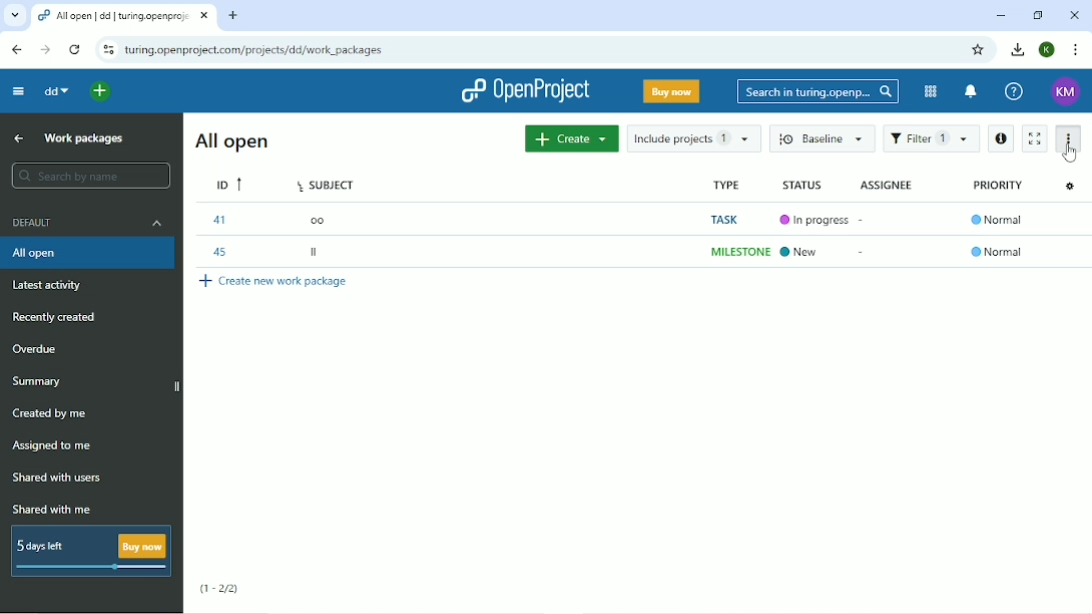 The height and width of the screenshot is (614, 1092). I want to click on New tab, so click(235, 16).